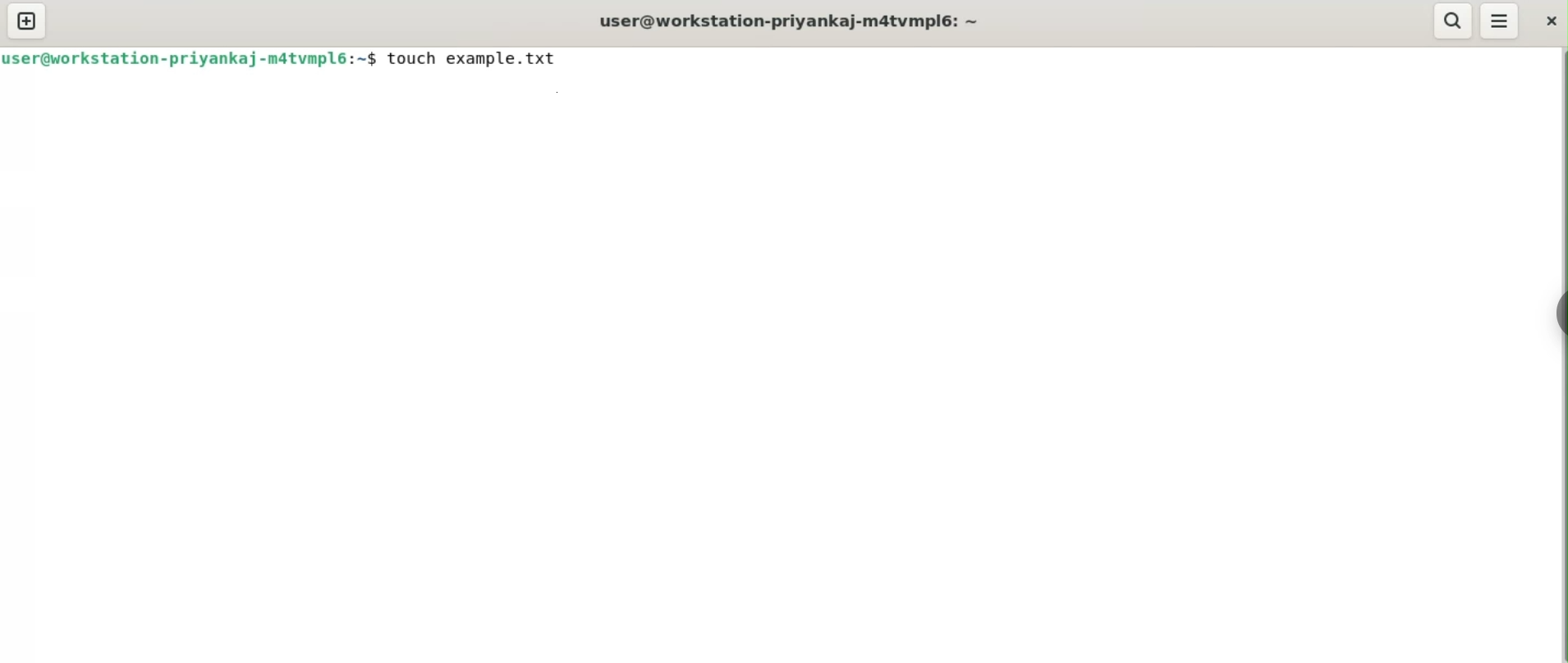 The image size is (1568, 663). Describe the element at coordinates (785, 20) in the screenshot. I see `user@workstation-priyankaj-m4tvmpl6: ~` at that location.